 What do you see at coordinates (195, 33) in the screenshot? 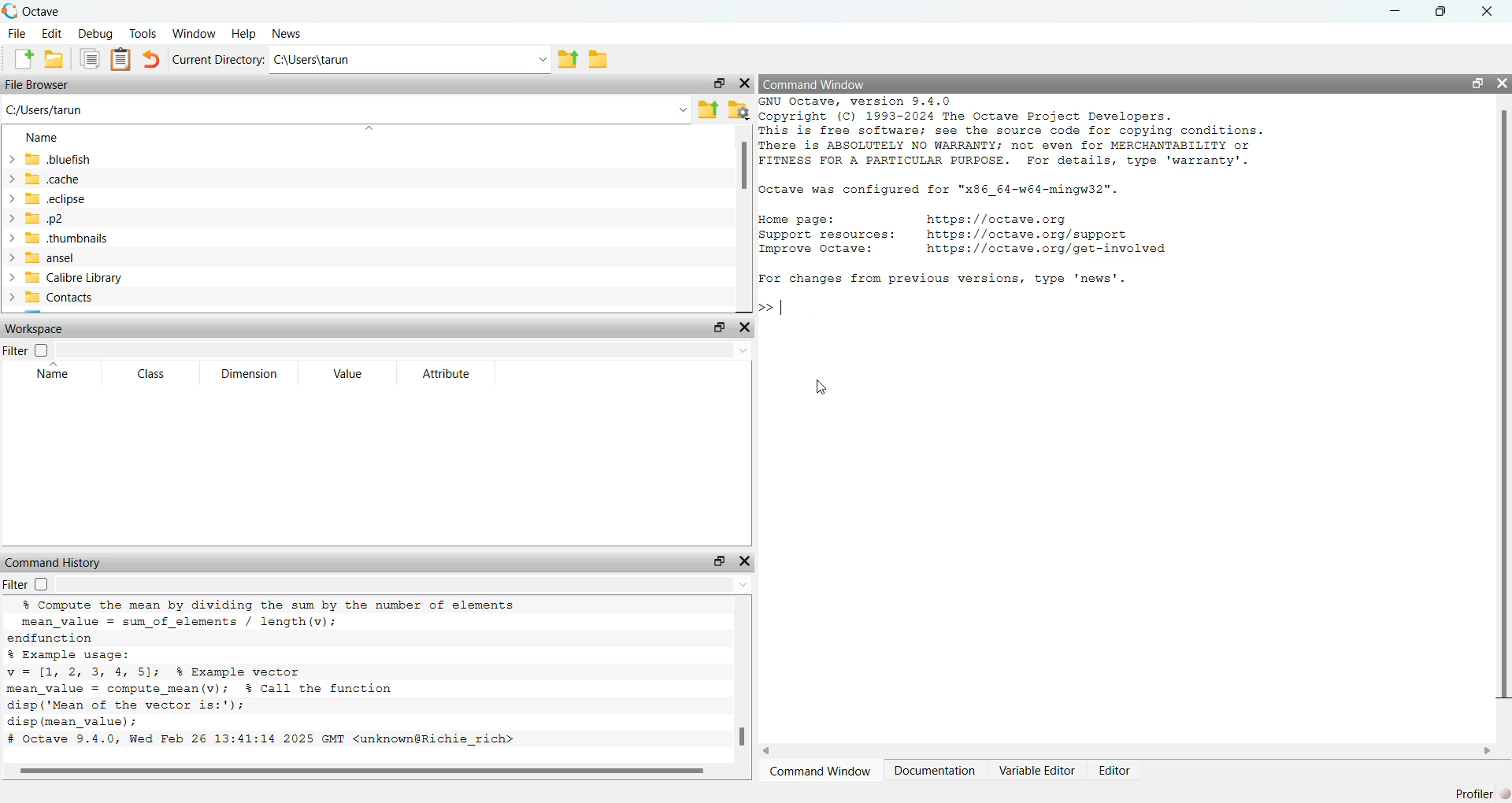
I see `window` at bounding box center [195, 33].